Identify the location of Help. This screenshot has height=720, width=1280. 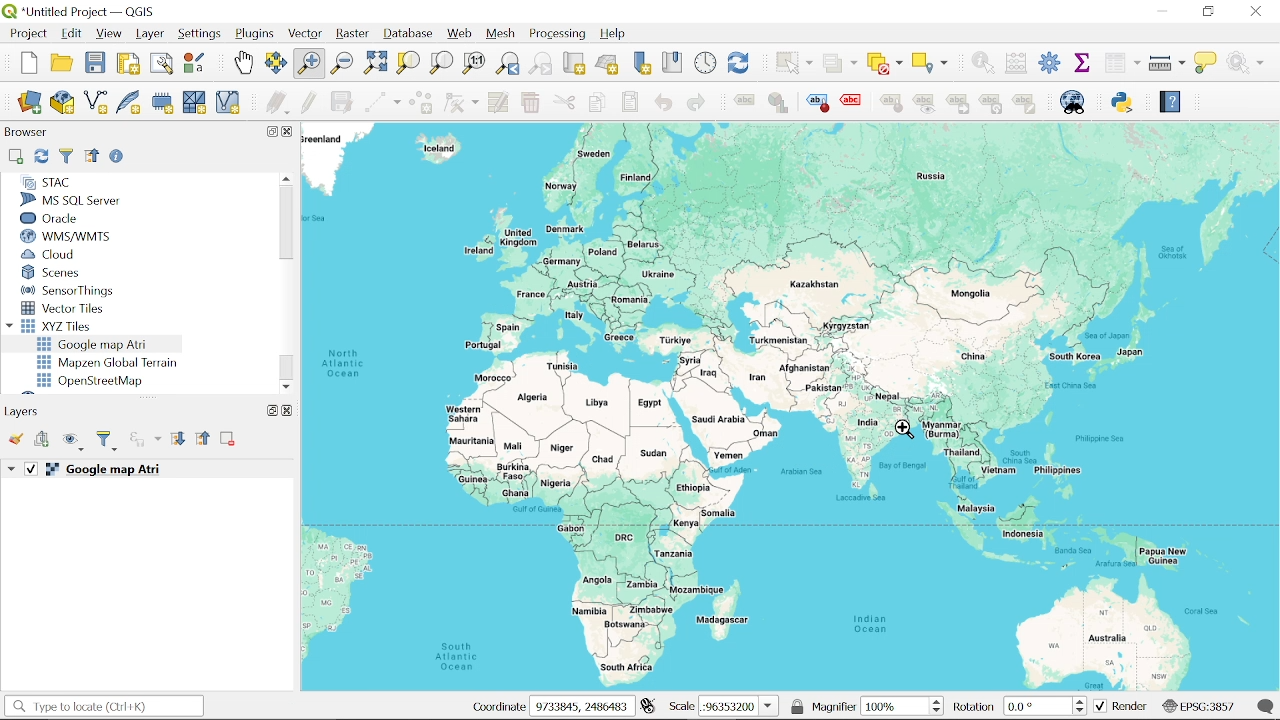
(1169, 105).